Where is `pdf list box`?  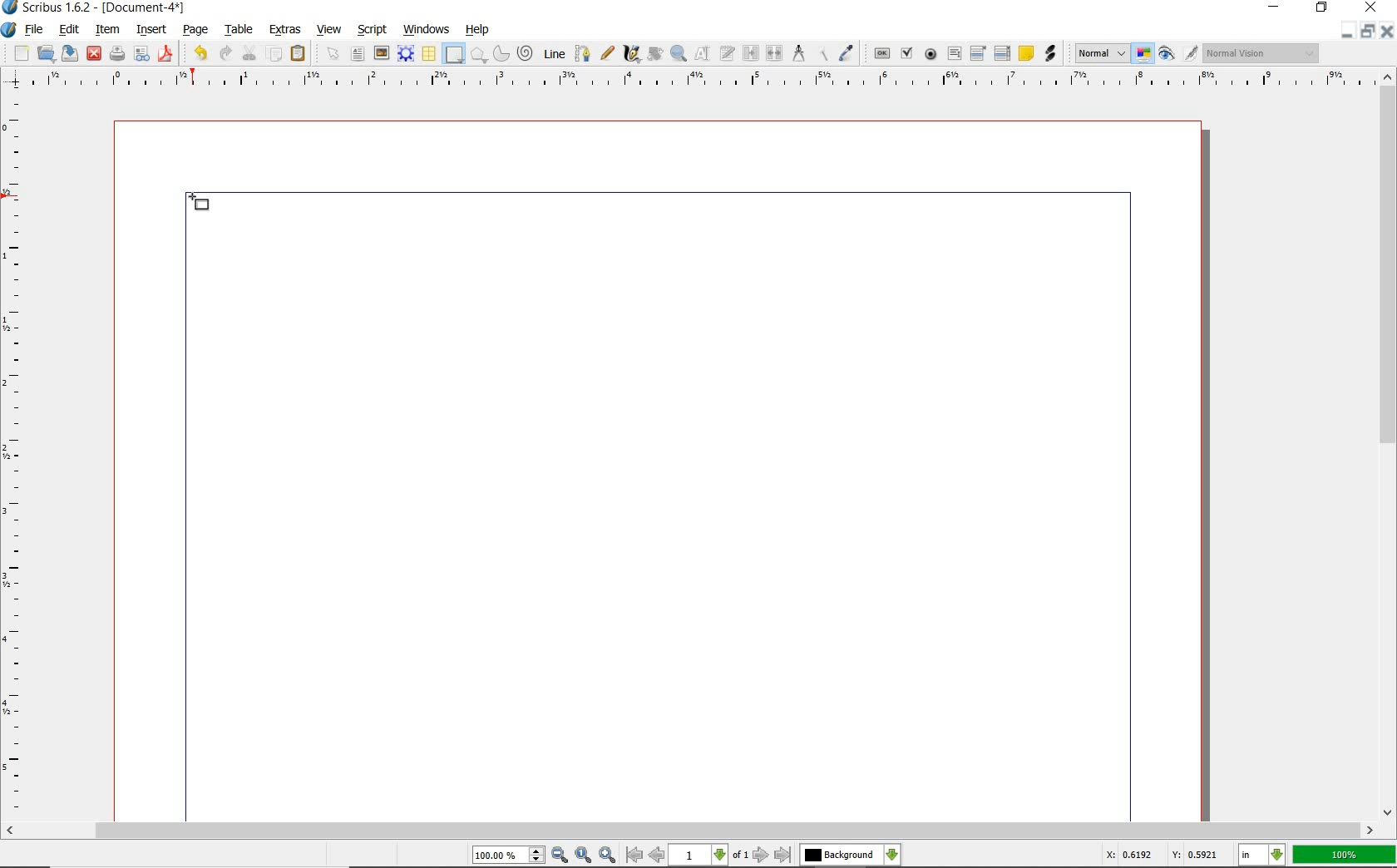 pdf list box is located at coordinates (1002, 52).